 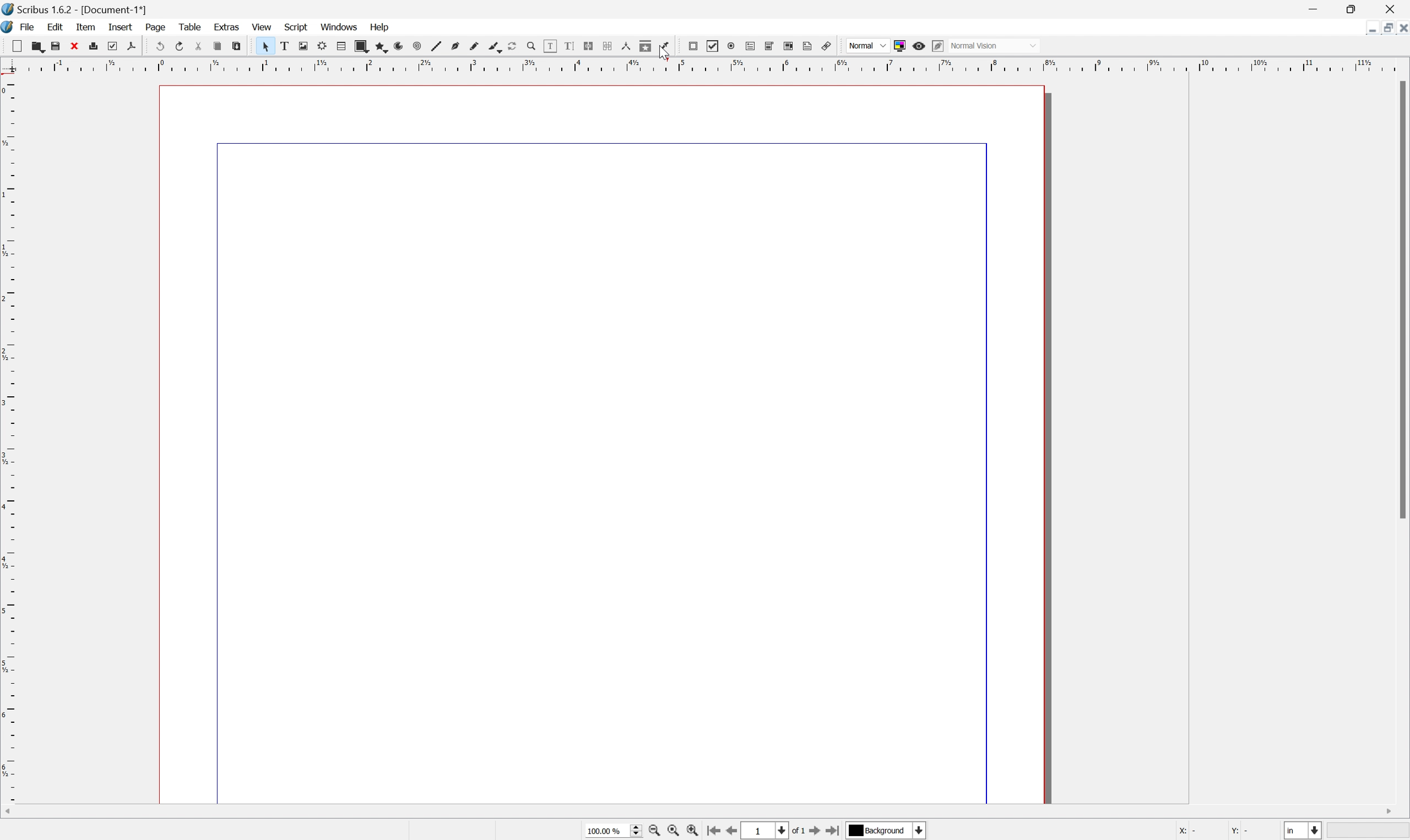 I want to click on Select current unit, so click(x=1302, y=829).